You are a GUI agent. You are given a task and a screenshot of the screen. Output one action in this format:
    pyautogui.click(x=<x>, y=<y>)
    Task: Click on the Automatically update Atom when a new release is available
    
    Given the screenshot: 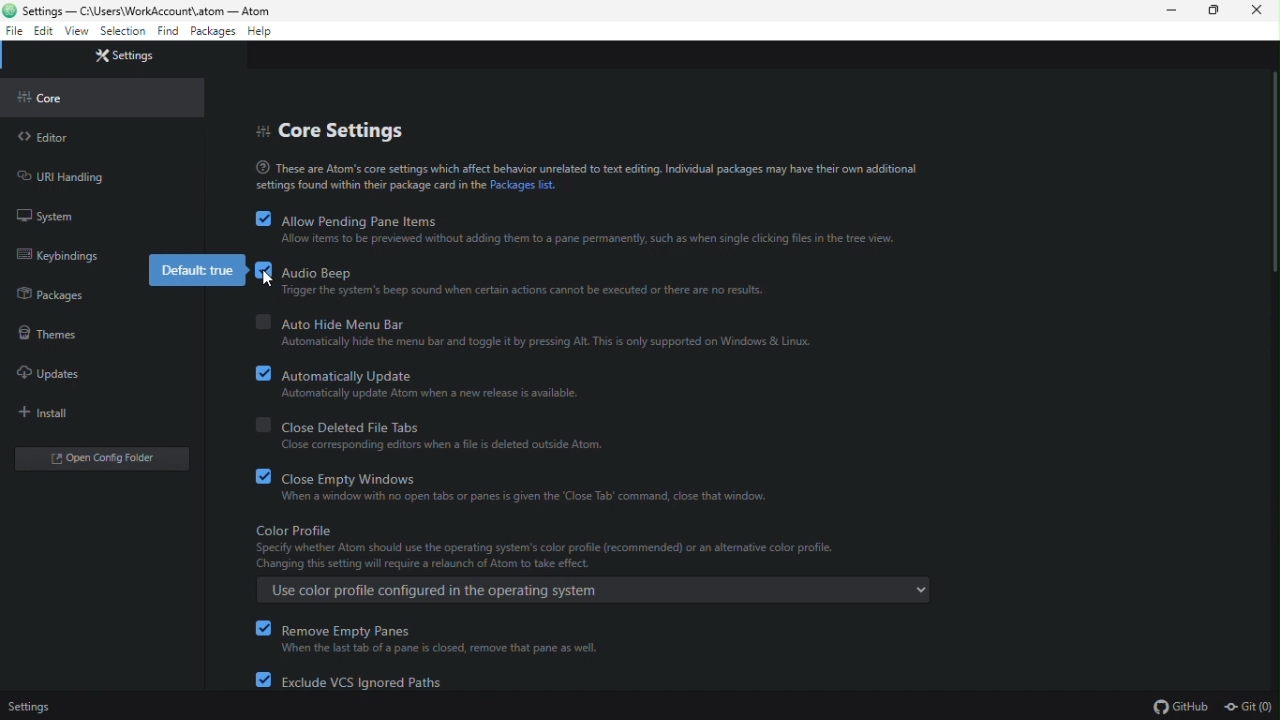 What is the action you would take?
    pyautogui.click(x=431, y=395)
    